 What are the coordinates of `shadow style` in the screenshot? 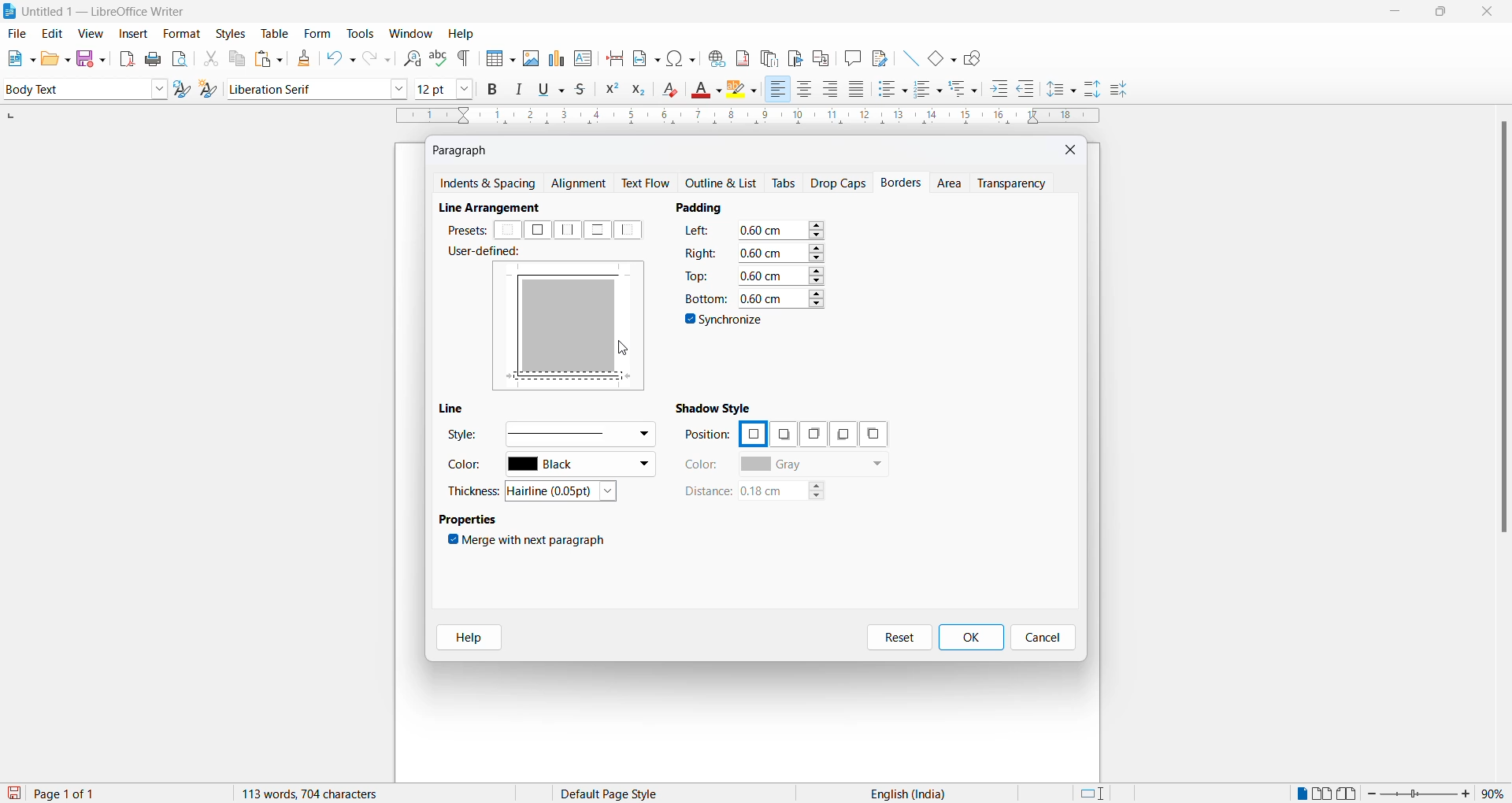 It's located at (717, 407).